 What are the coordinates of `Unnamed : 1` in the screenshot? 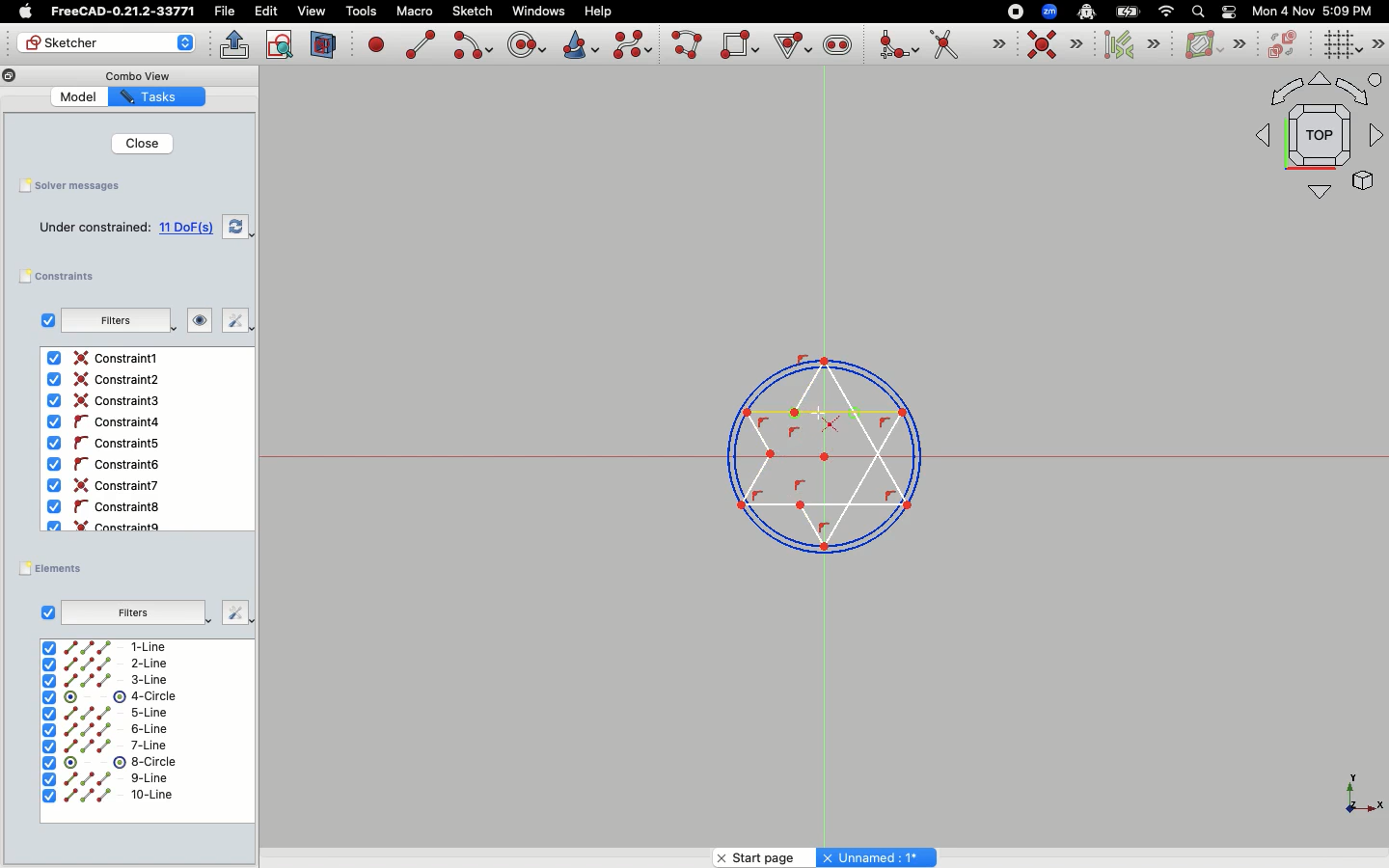 It's located at (876, 854).